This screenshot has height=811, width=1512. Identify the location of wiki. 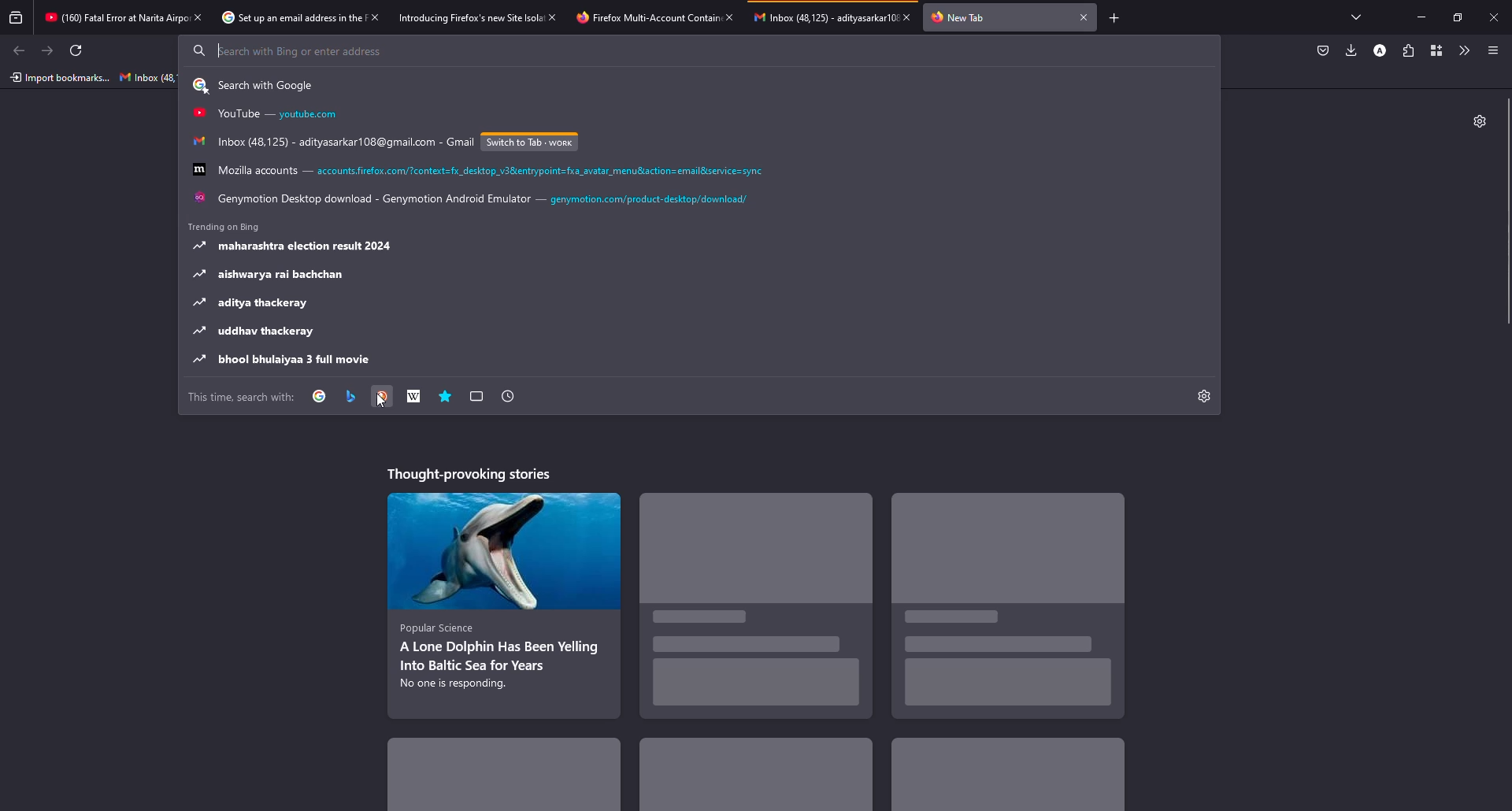
(413, 396).